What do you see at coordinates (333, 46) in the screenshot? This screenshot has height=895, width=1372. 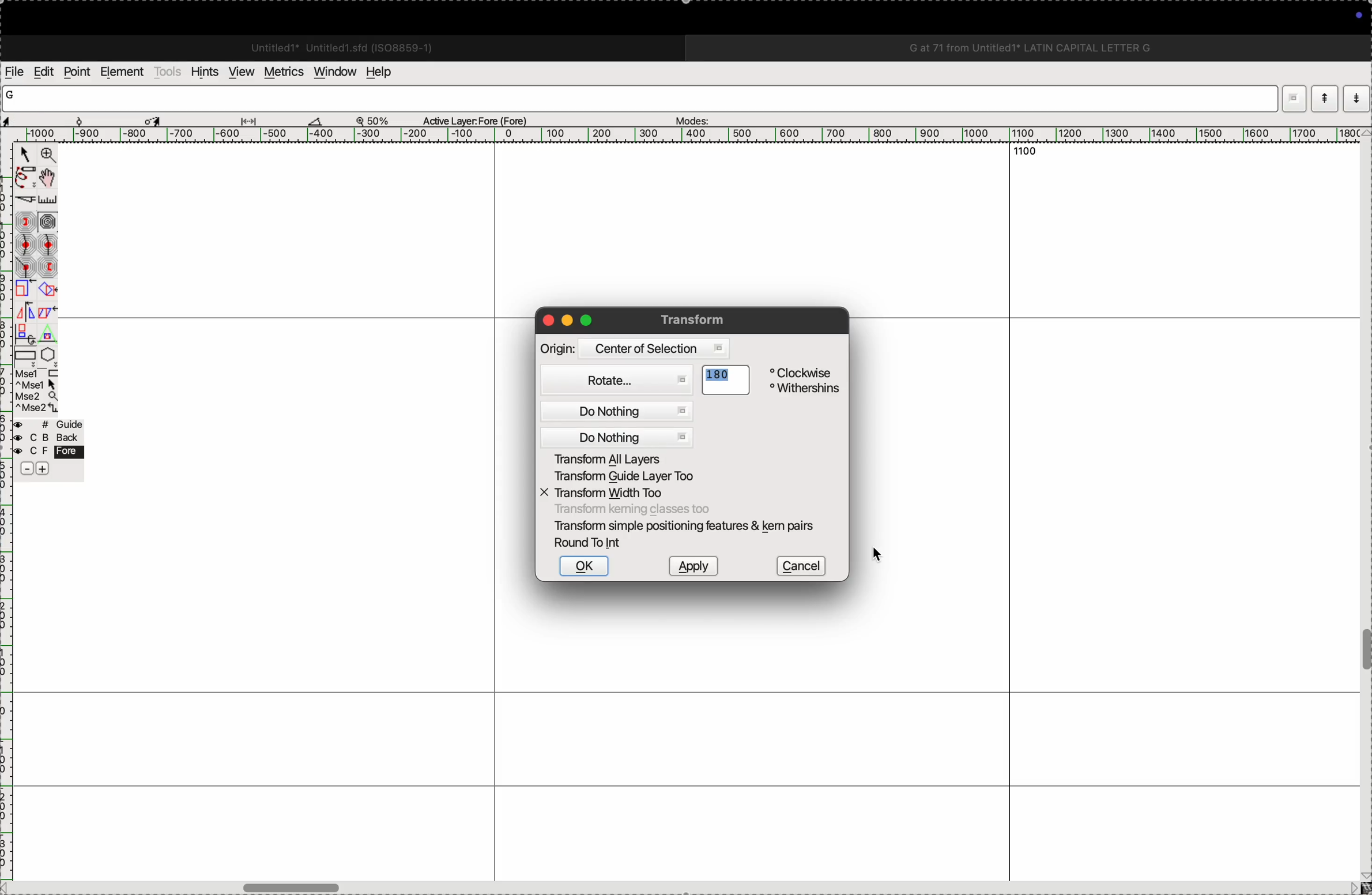 I see `Untitled1 Untitled 1.sfd (IS08859-1)` at bounding box center [333, 46].